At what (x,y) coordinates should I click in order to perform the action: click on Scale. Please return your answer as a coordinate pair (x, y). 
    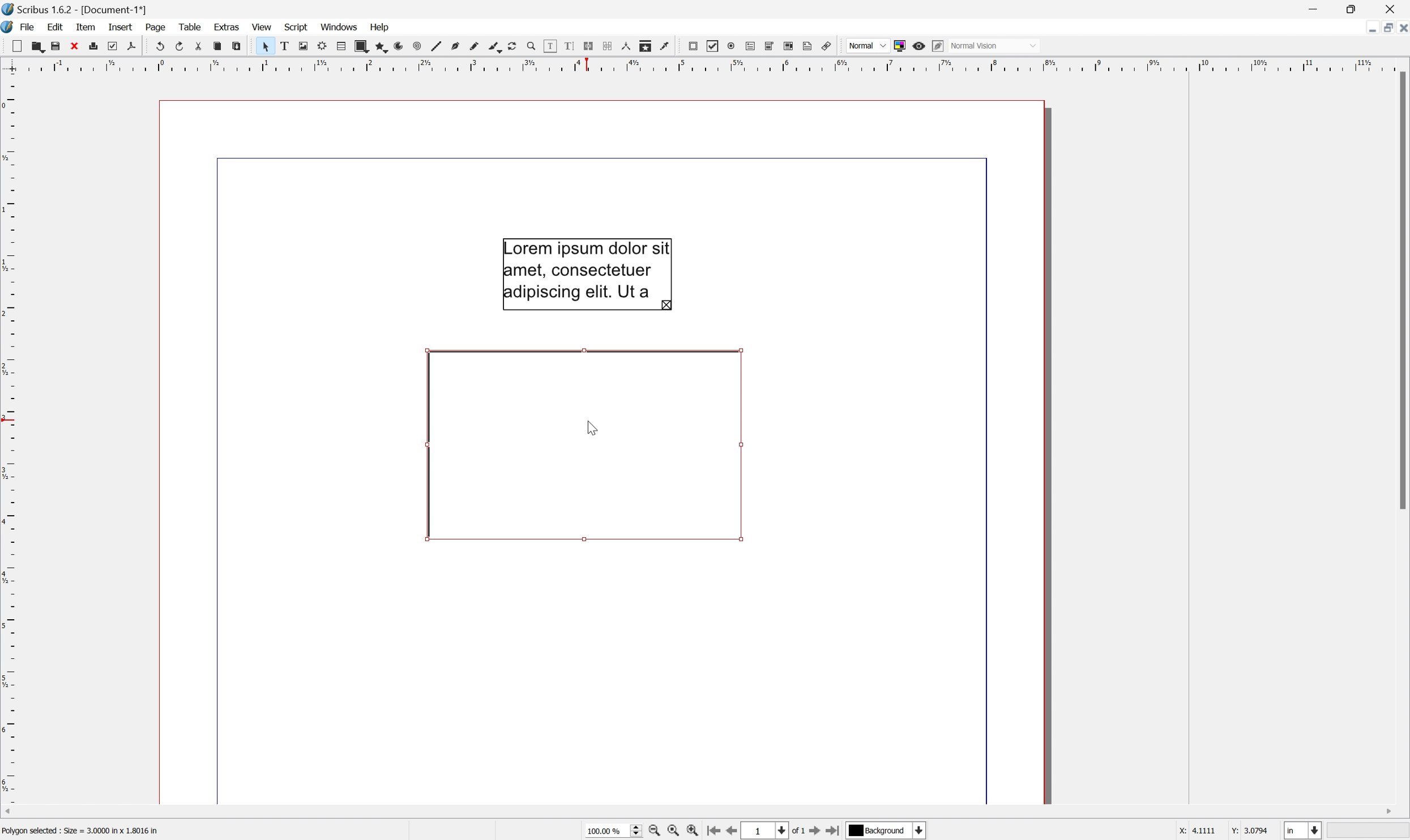
    Looking at the image, I should click on (704, 64).